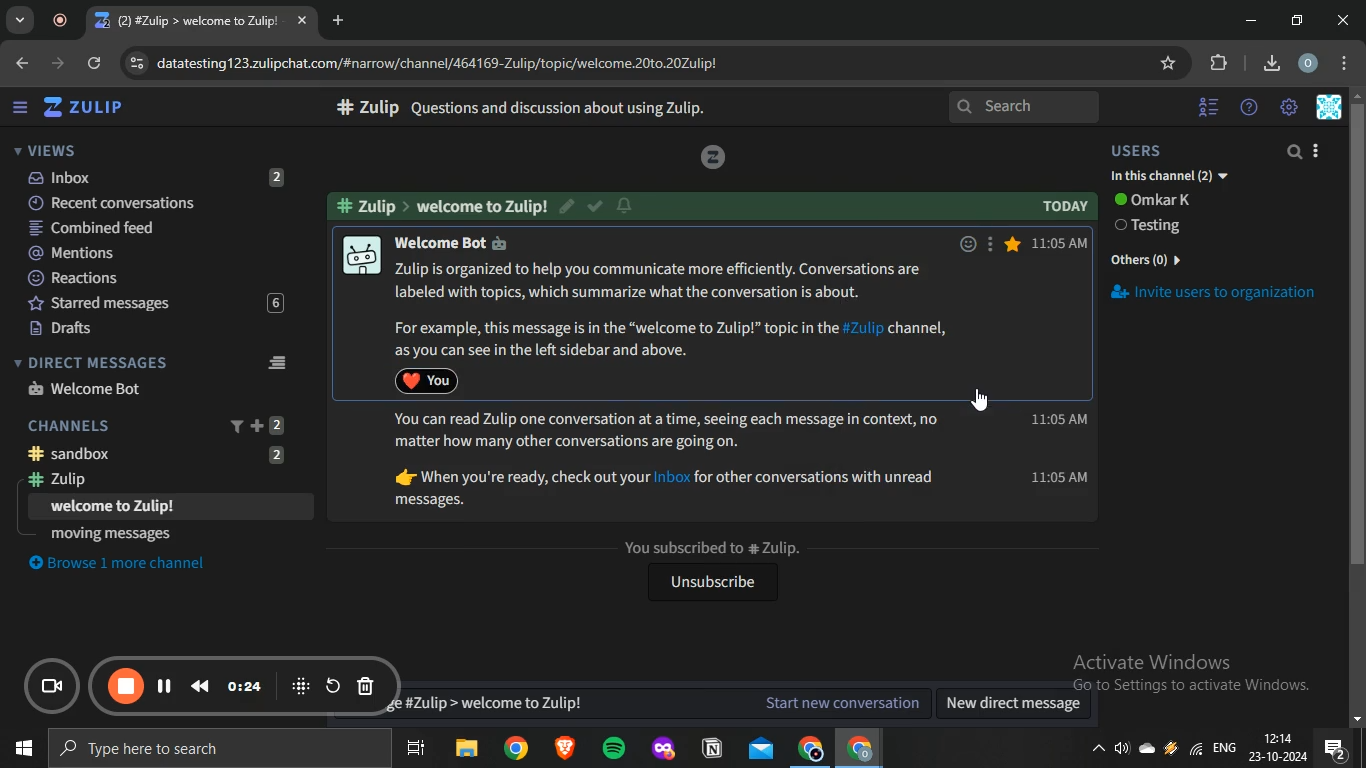  What do you see at coordinates (154, 279) in the screenshot?
I see `reactions` at bounding box center [154, 279].